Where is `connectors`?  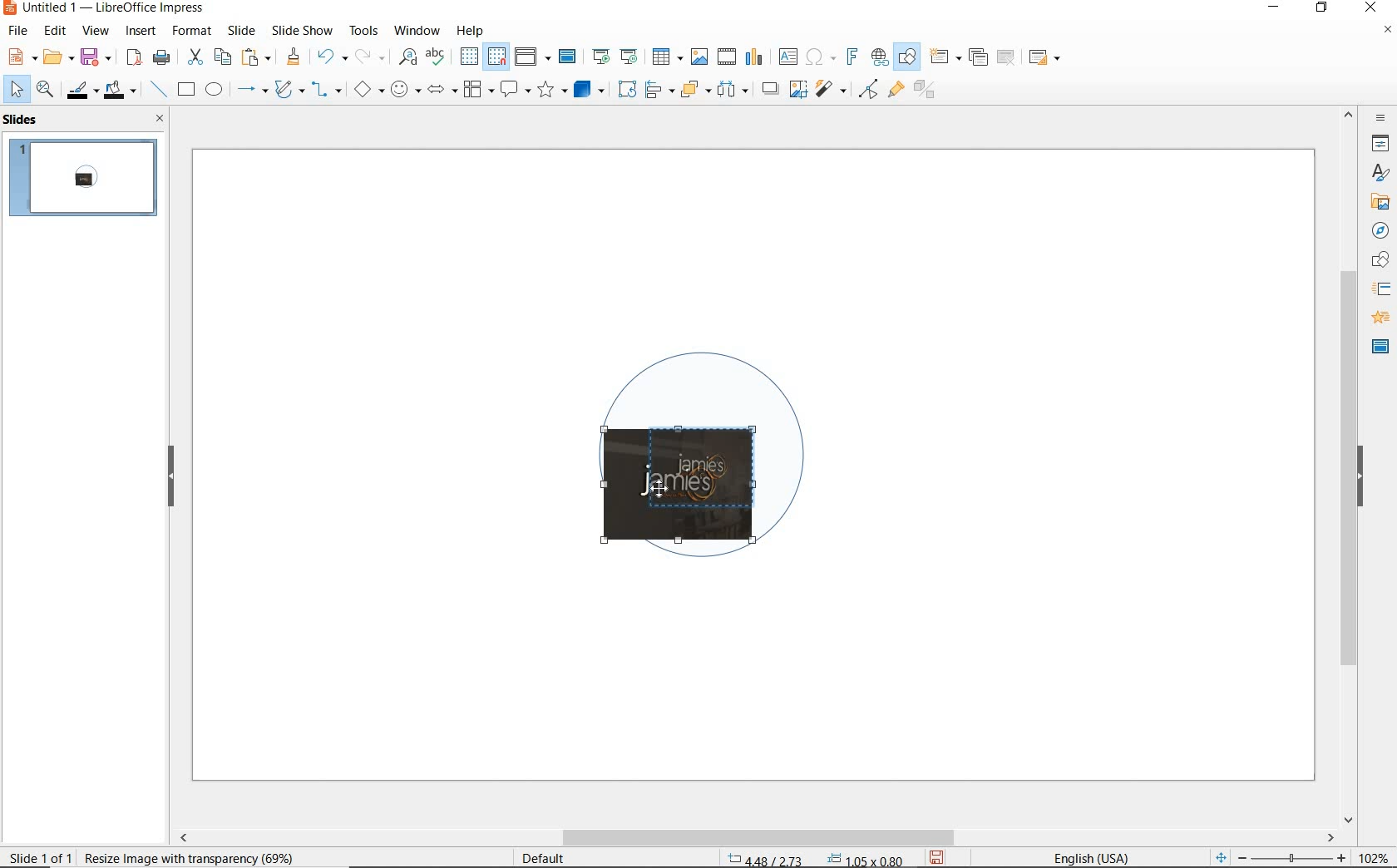
connectors is located at coordinates (327, 91).